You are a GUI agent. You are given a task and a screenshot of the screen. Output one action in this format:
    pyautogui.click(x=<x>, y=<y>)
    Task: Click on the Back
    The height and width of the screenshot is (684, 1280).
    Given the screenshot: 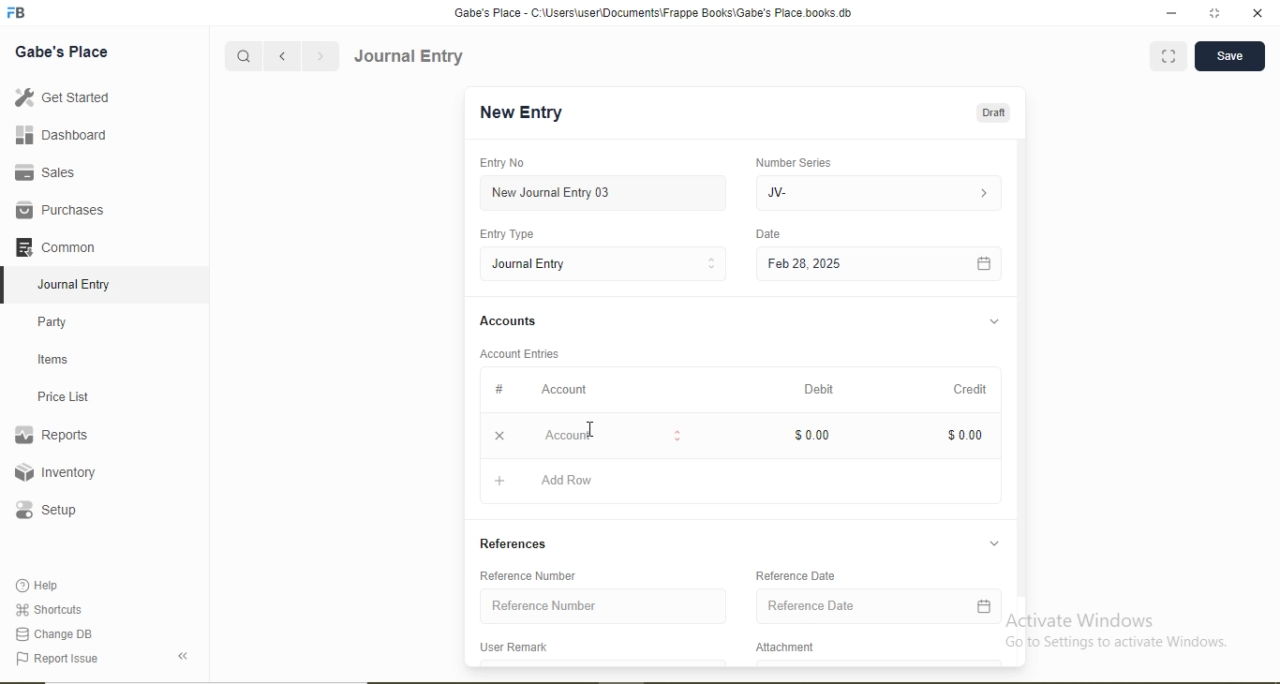 What is the action you would take?
    pyautogui.click(x=182, y=656)
    